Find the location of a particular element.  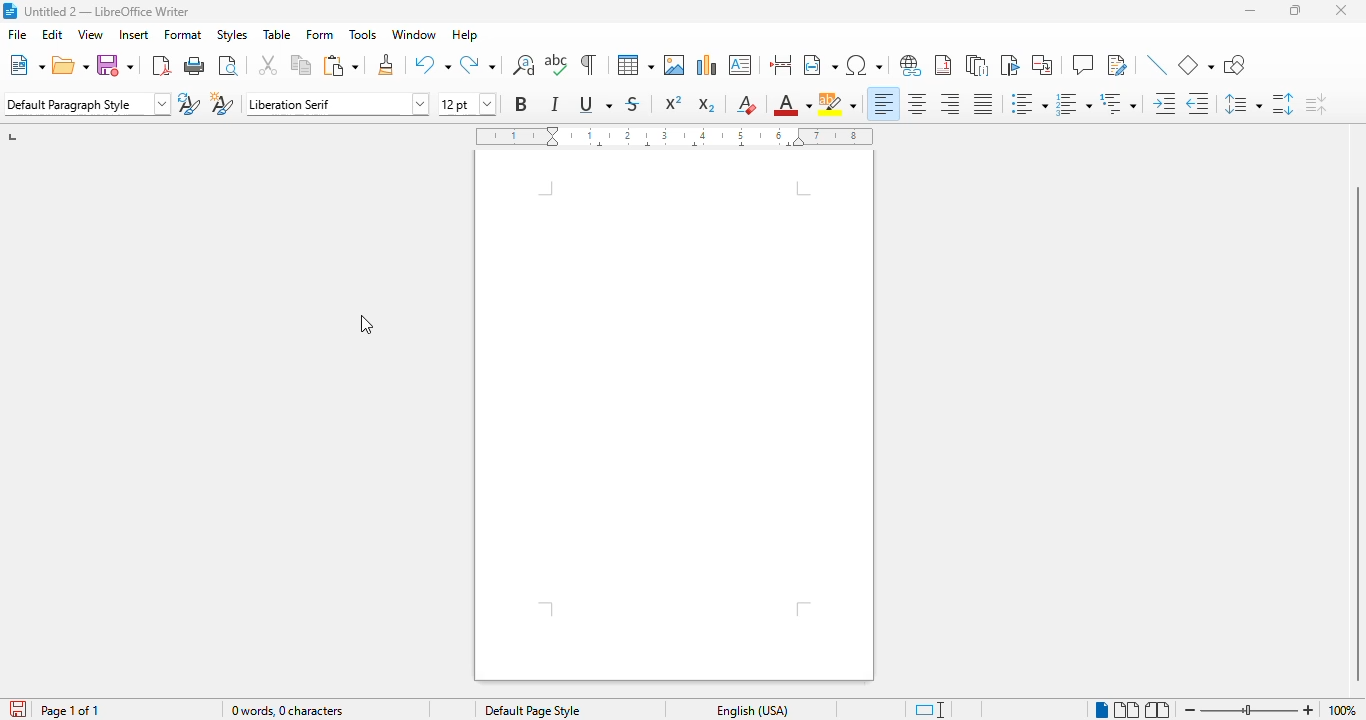

italic is located at coordinates (556, 103).